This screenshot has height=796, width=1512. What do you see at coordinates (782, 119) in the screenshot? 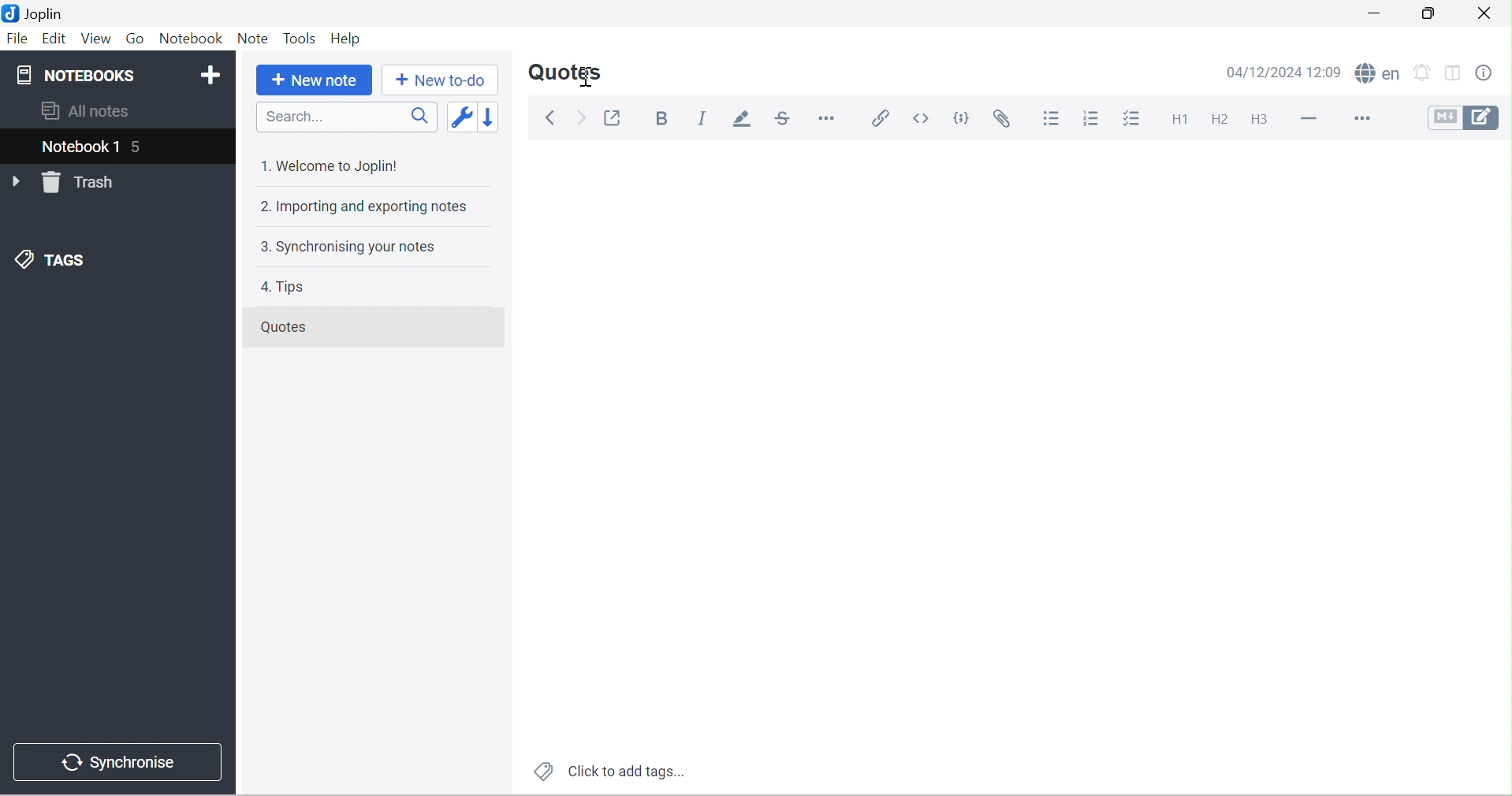
I see `Strikethrough` at bounding box center [782, 119].